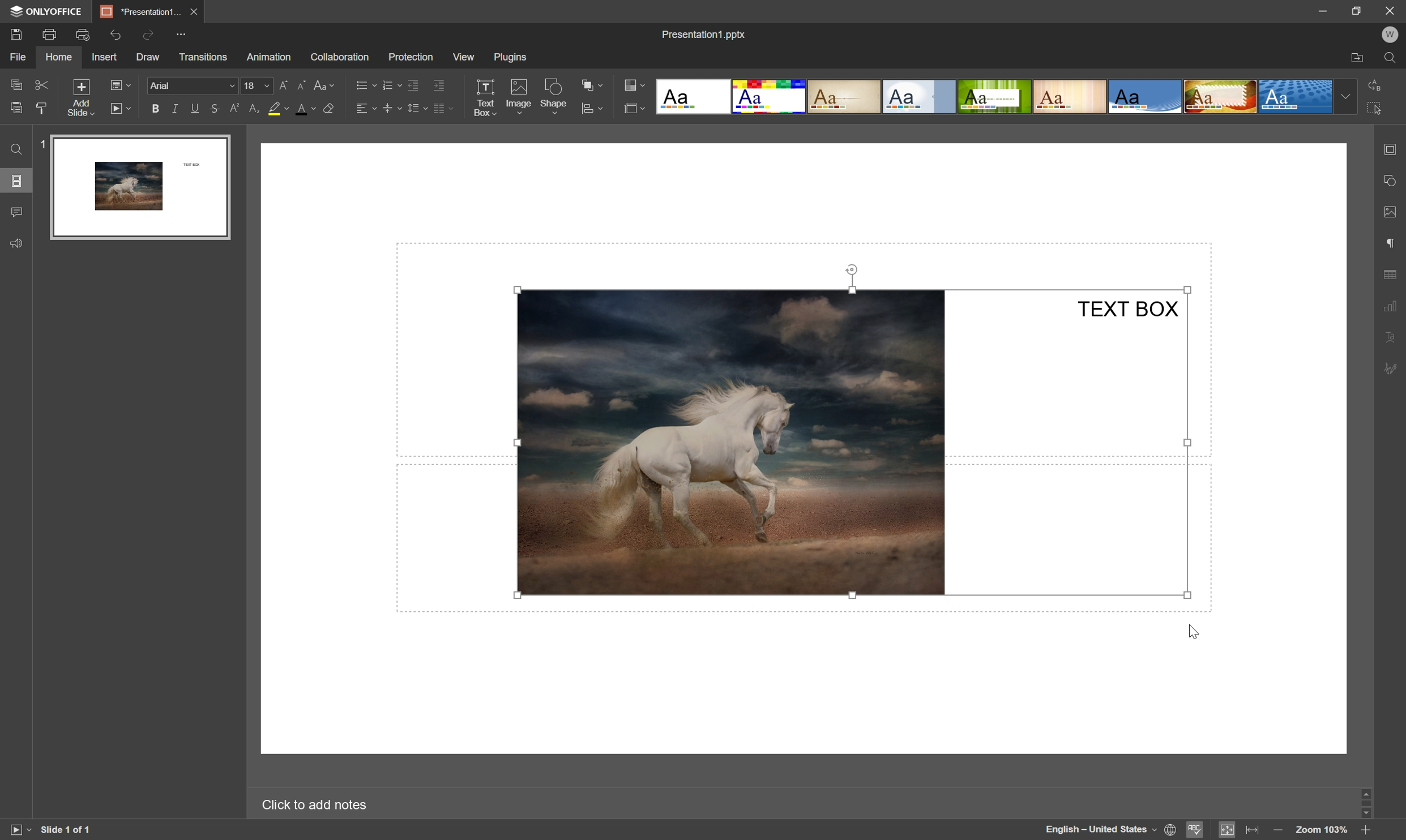  Describe the element at coordinates (326, 84) in the screenshot. I see `change case` at that location.